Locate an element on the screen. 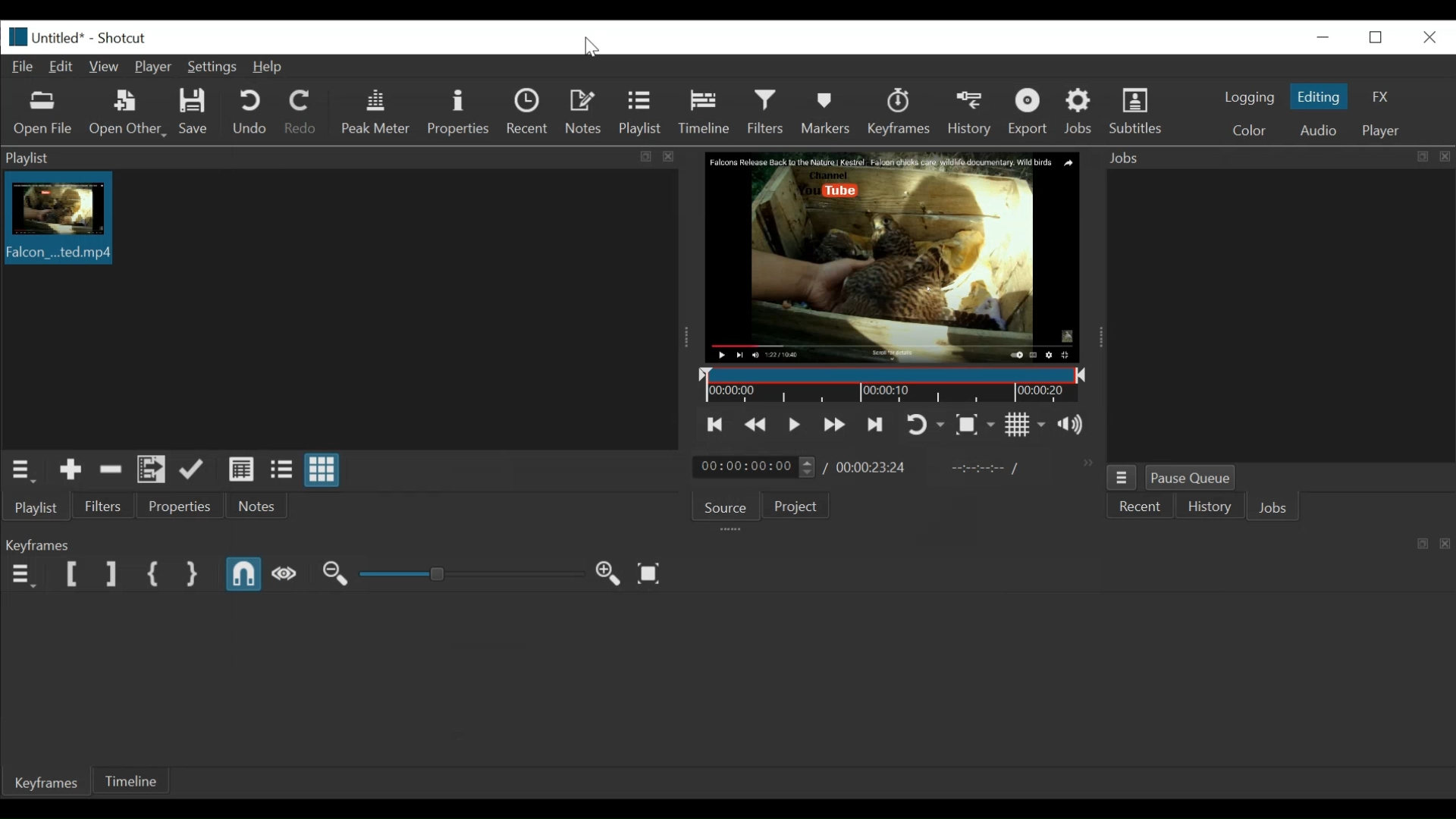 The width and height of the screenshot is (1456, 819). Jobs panel is located at coordinates (1272, 315).